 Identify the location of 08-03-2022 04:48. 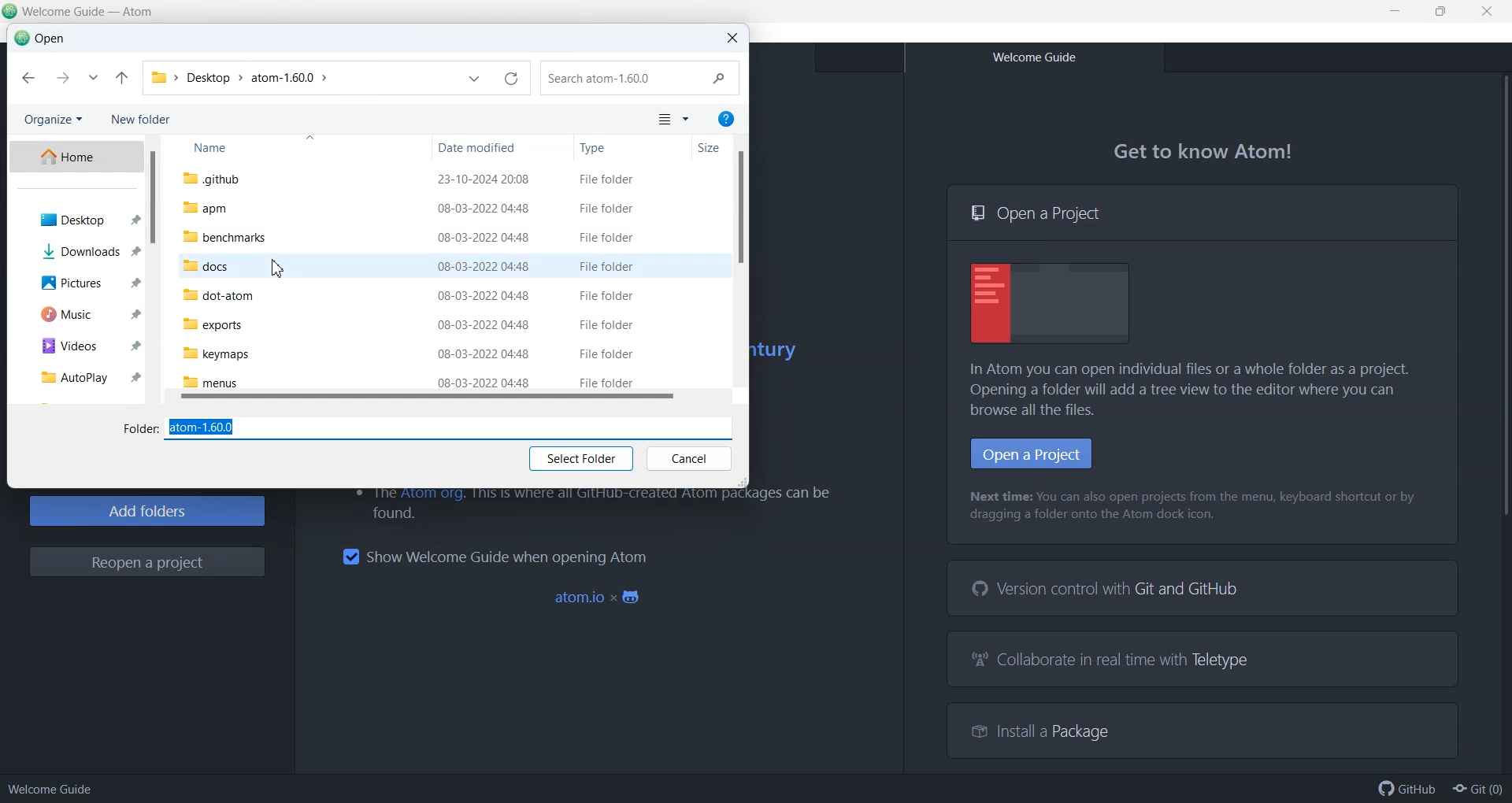
(485, 383).